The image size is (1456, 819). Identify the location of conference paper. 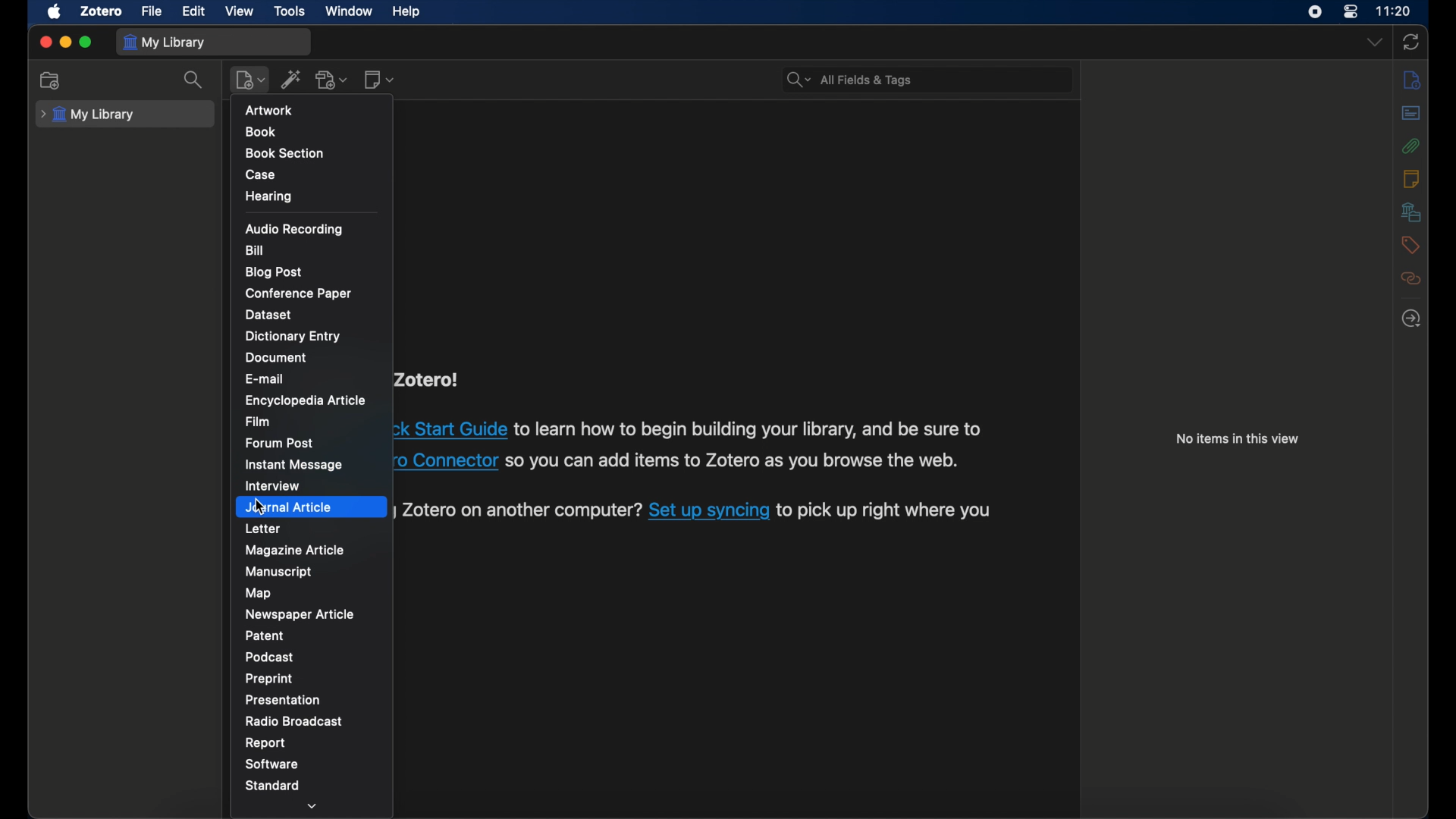
(300, 293).